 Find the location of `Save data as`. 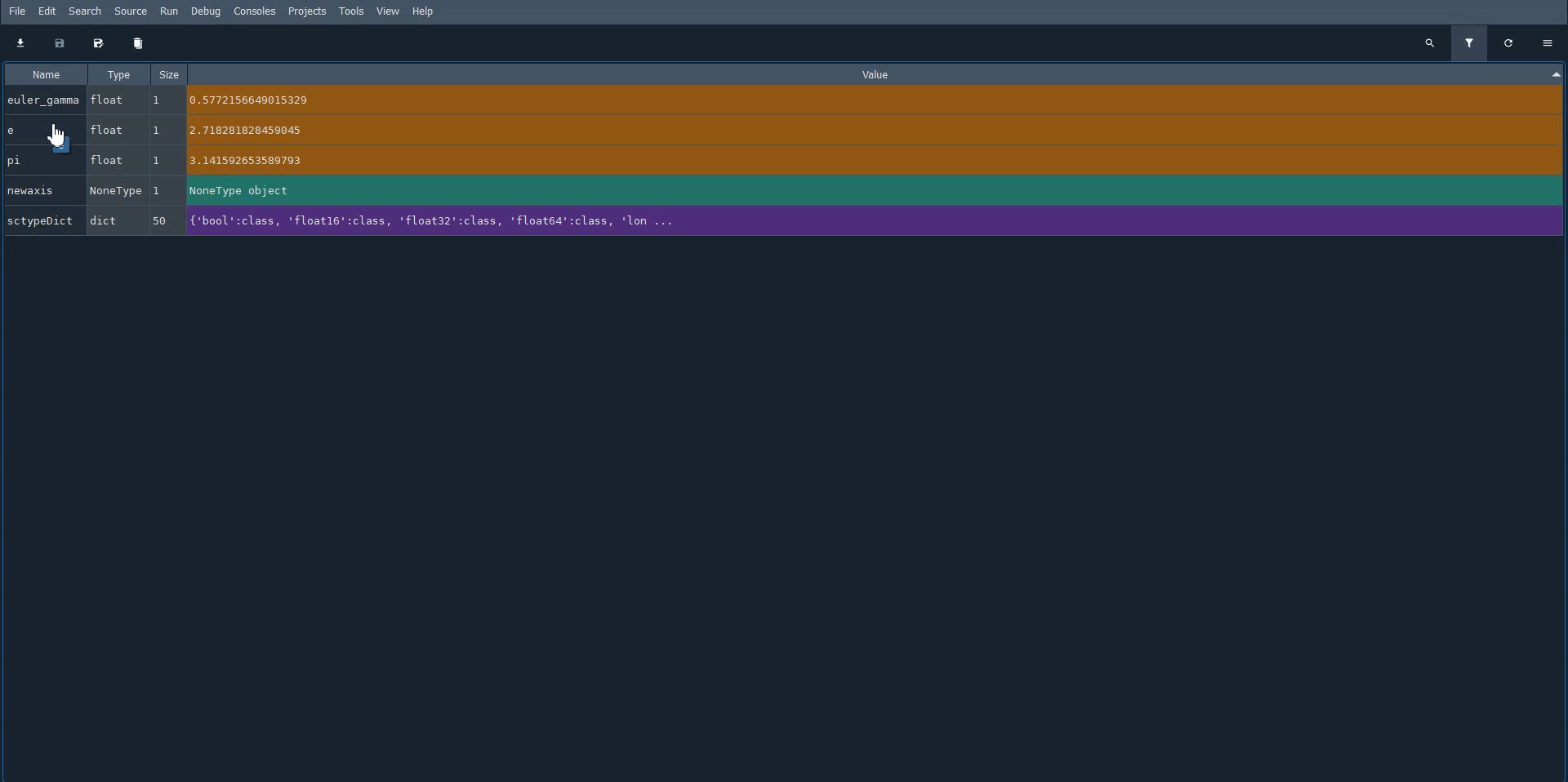

Save data as is located at coordinates (99, 45).